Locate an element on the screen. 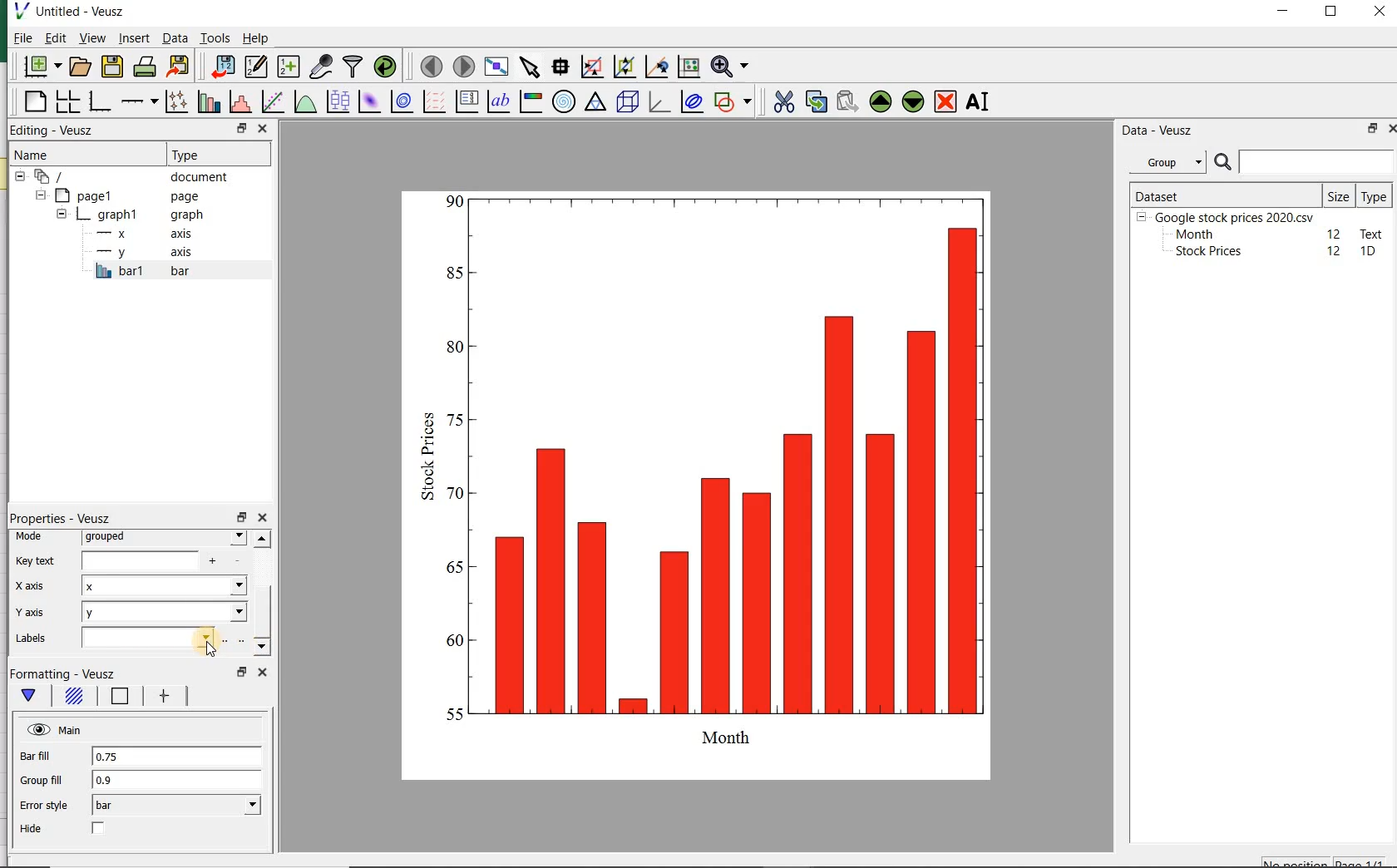 The width and height of the screenshot is (1397, 868). select items from the graph or scroll is located at coordinates (529, 67).